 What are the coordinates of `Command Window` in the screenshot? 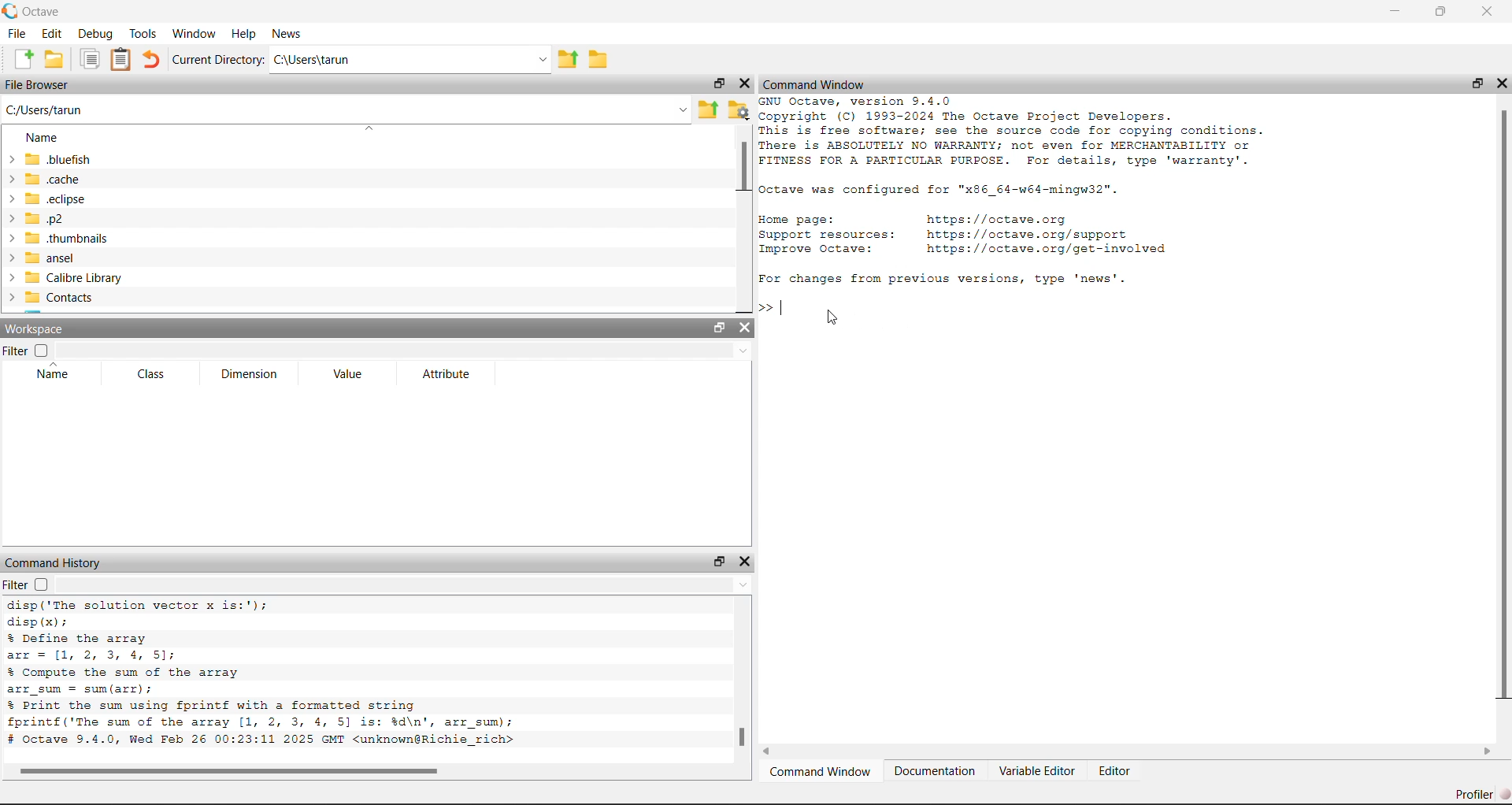 It's located at (821, 773).